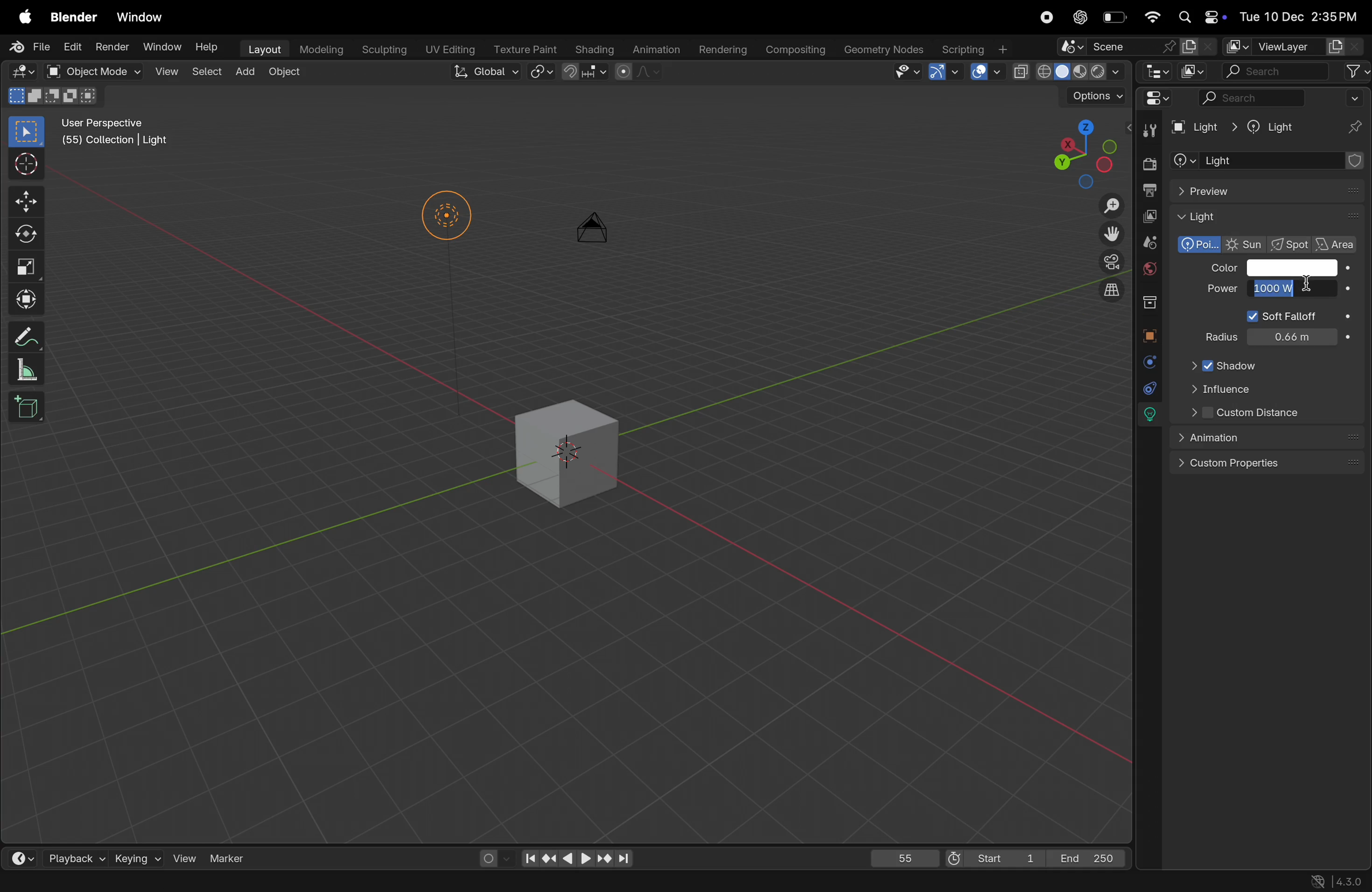  Describe the element at coordinates (902, 856) in the screenshot. I see `55` at that location.